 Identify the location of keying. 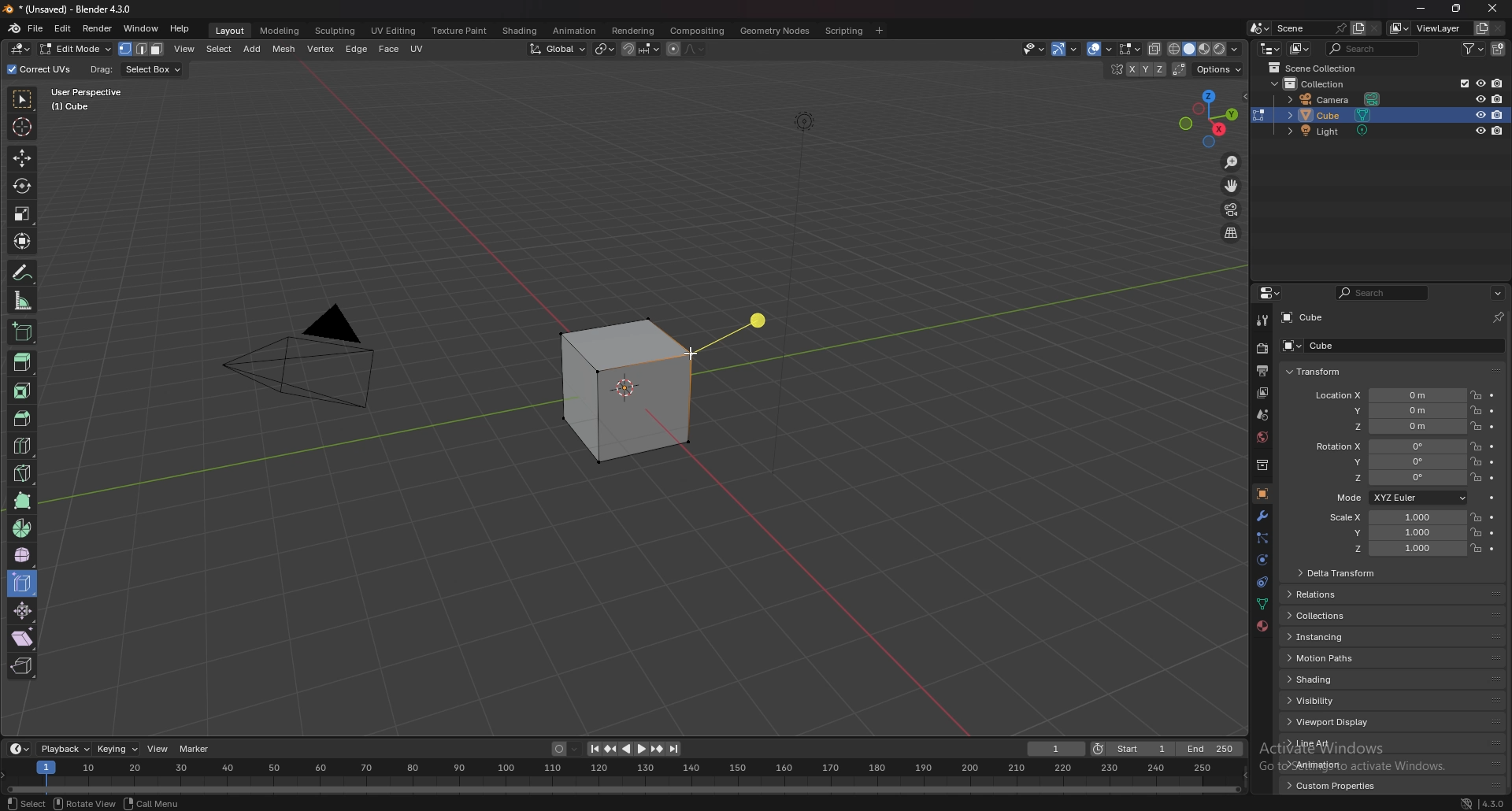
(117, 750).